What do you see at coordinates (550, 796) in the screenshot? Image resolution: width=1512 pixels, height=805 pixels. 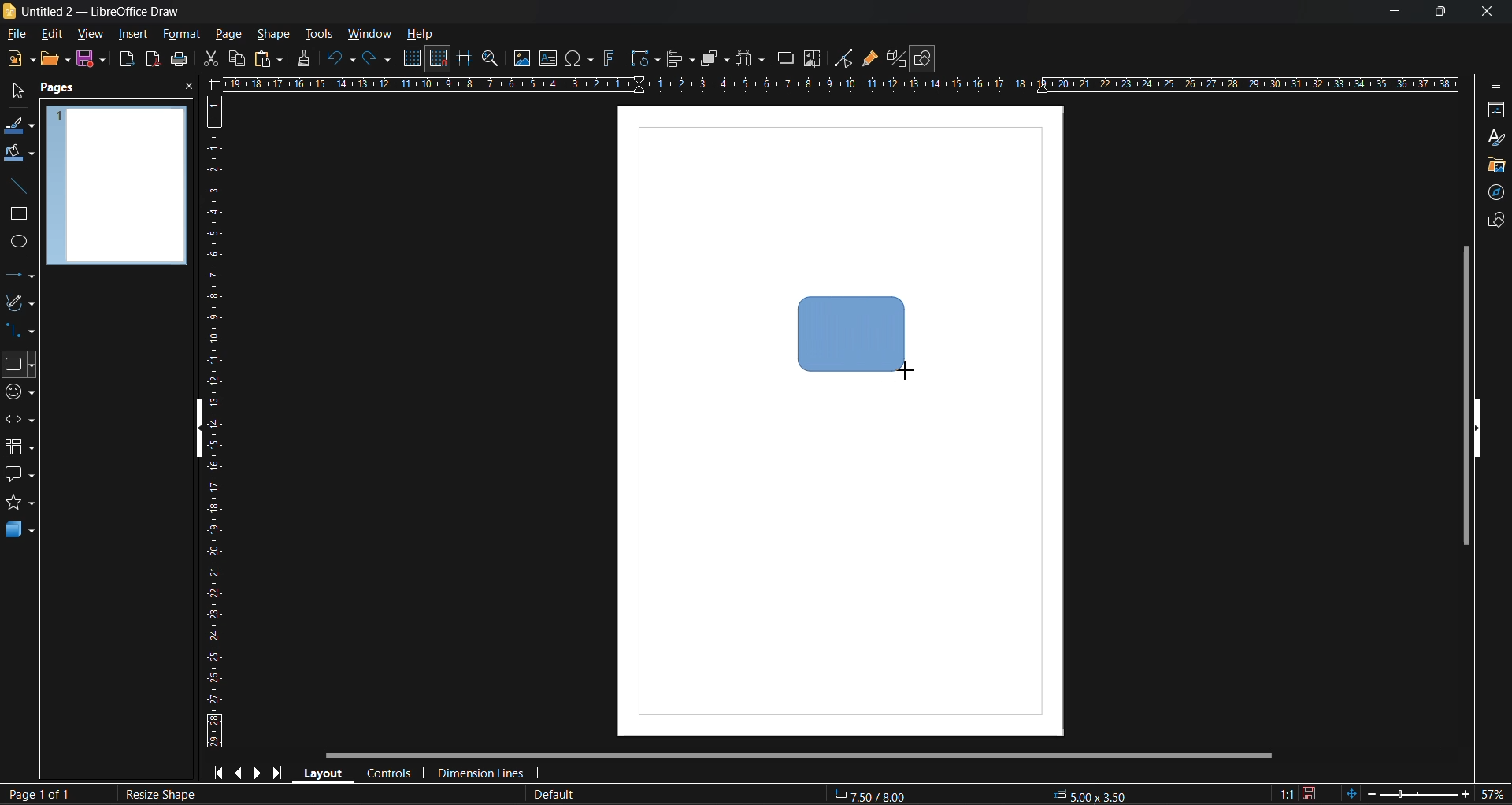 I see `slide master name` at bounding box center [550, 796].